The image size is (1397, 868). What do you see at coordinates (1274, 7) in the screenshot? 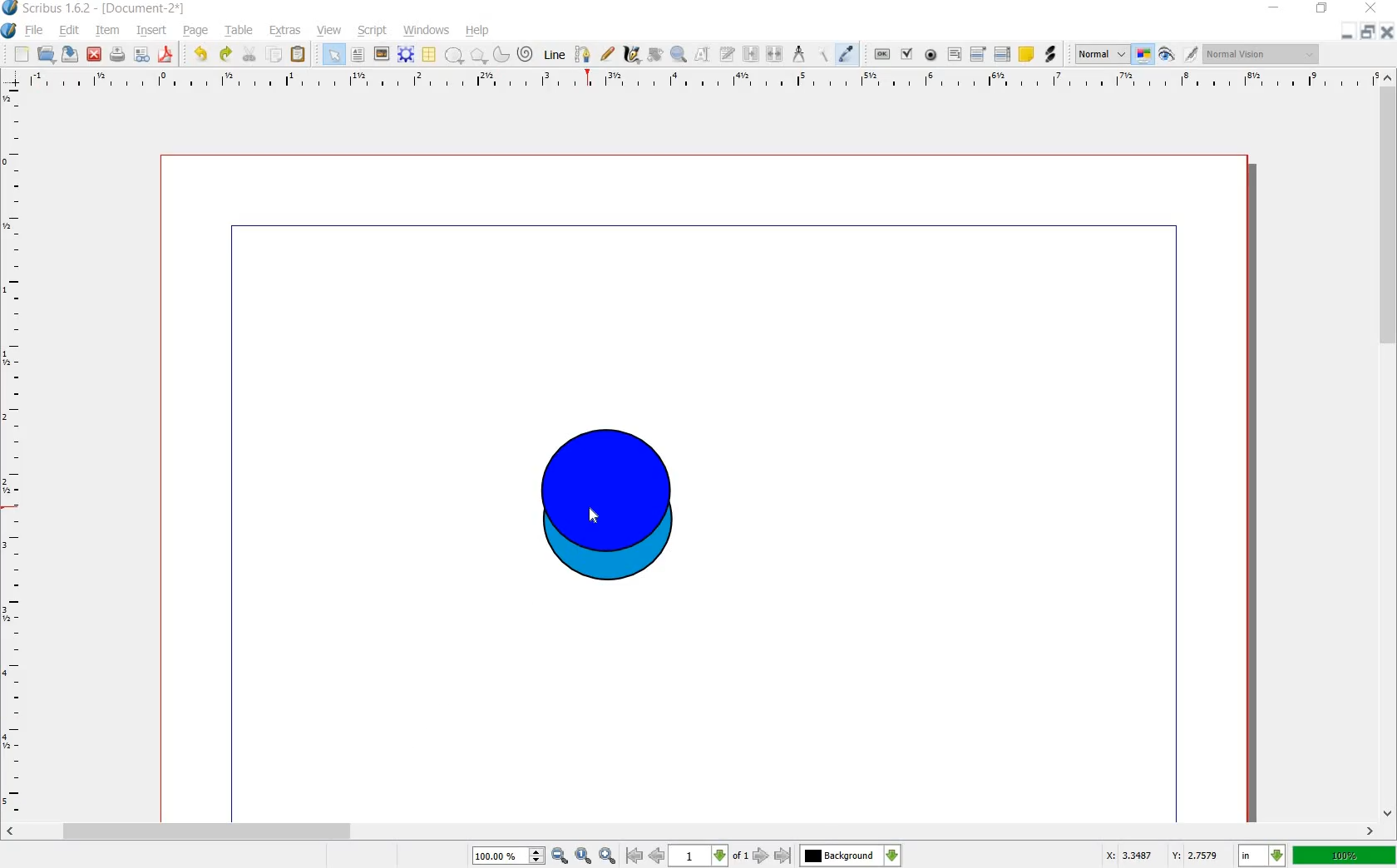
I see `minimize` at bounding box center [1274, 7].